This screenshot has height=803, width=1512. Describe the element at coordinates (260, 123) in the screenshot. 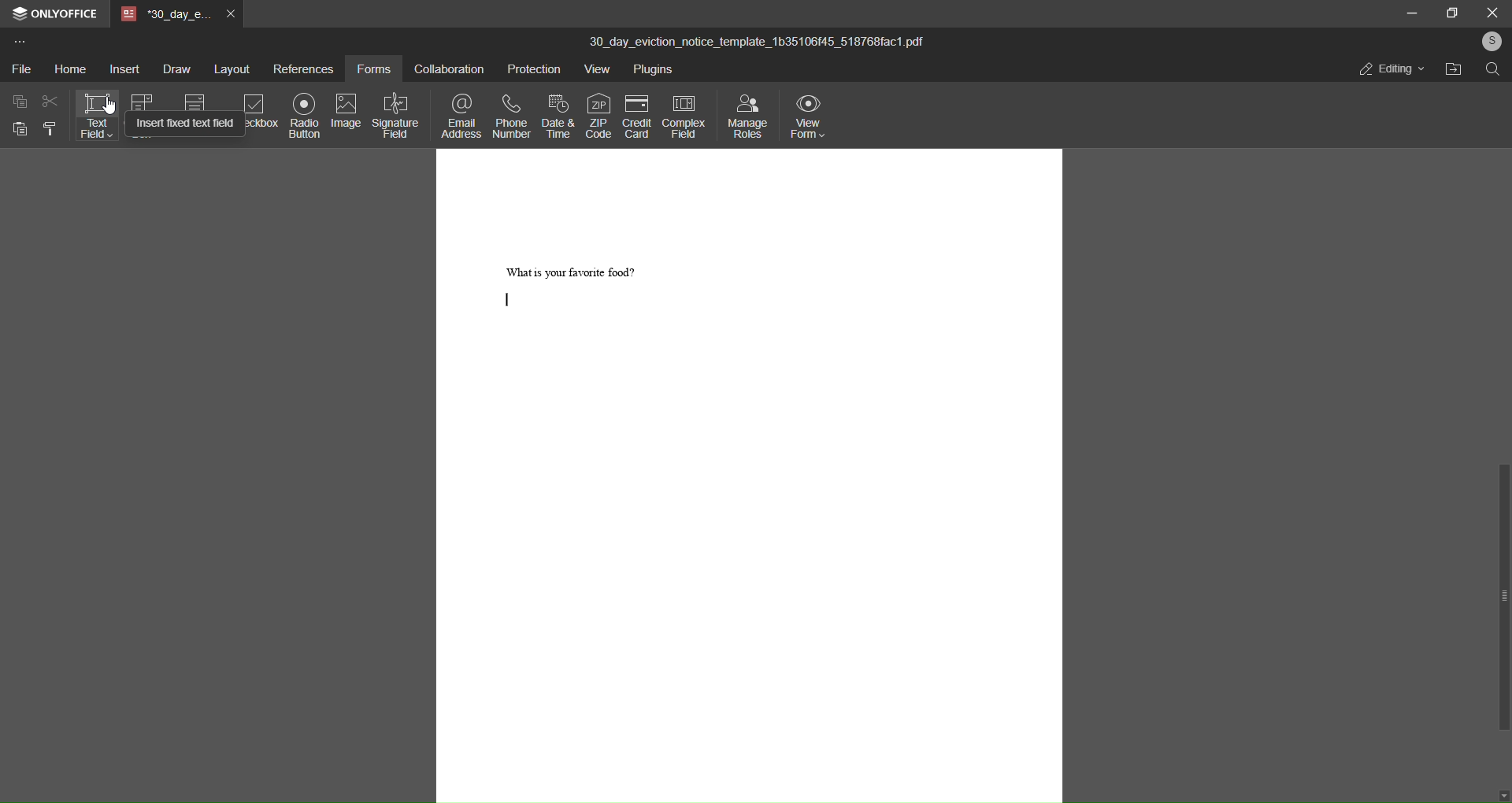

I see `checkbox` at that location.